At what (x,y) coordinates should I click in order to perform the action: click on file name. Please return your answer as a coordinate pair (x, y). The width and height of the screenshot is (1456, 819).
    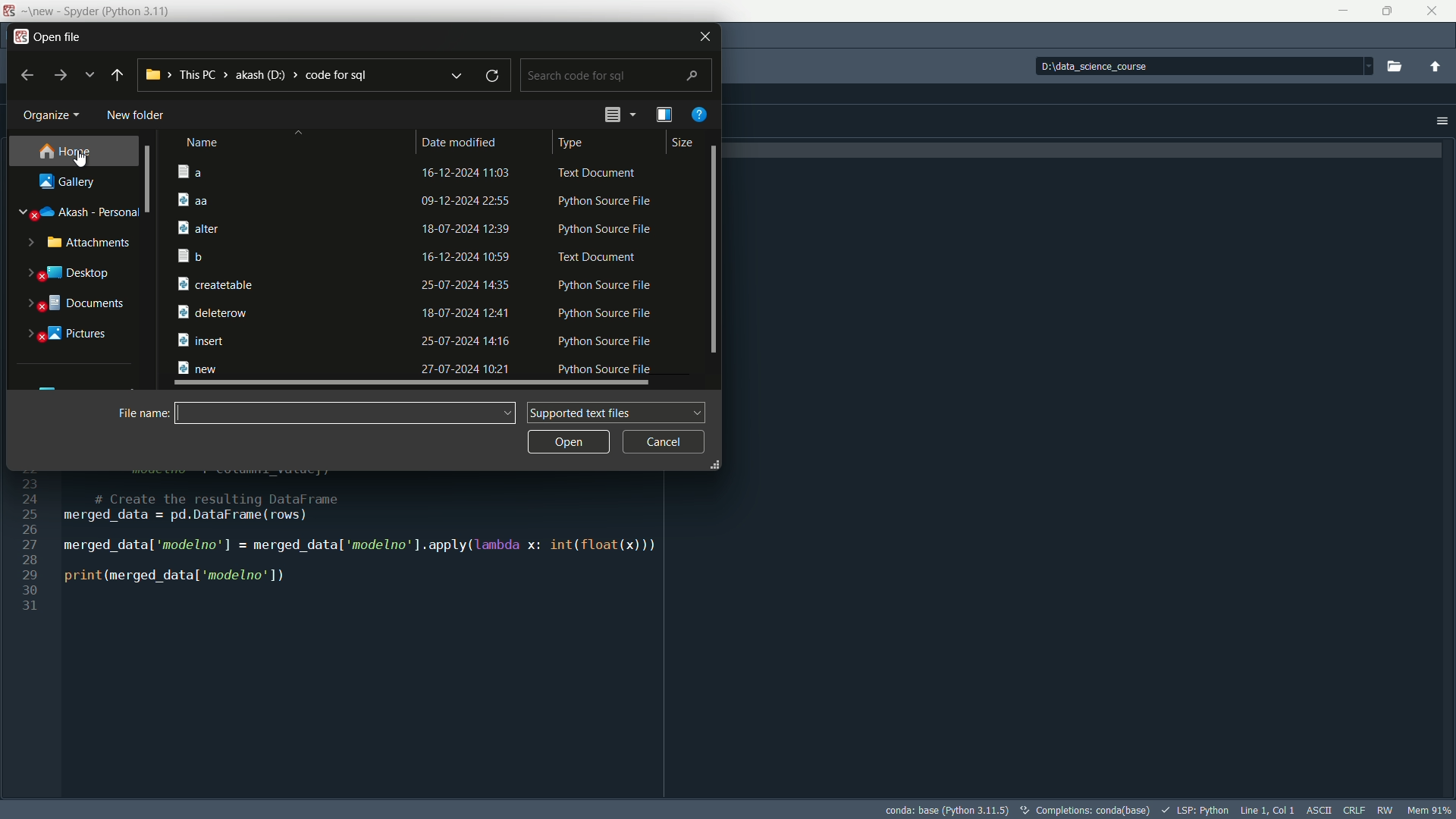
    Looking at the image, I should click on (136, 413).